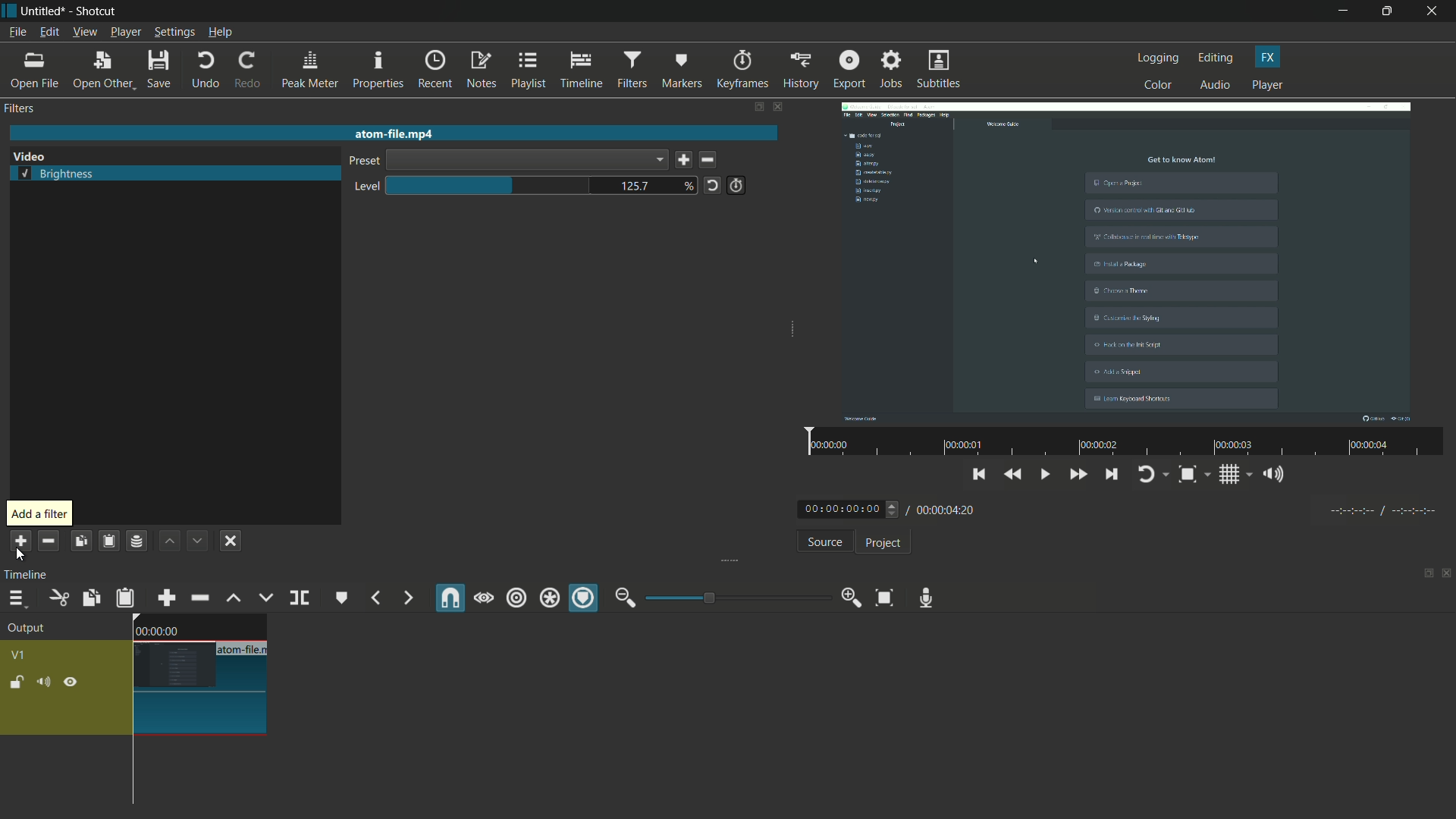 This screenshot has width=1456, height=819. What do you see at coordinates (1079, 476) in the screenshot?
I see `quickly play forward` at bounding box center [1079, 476].